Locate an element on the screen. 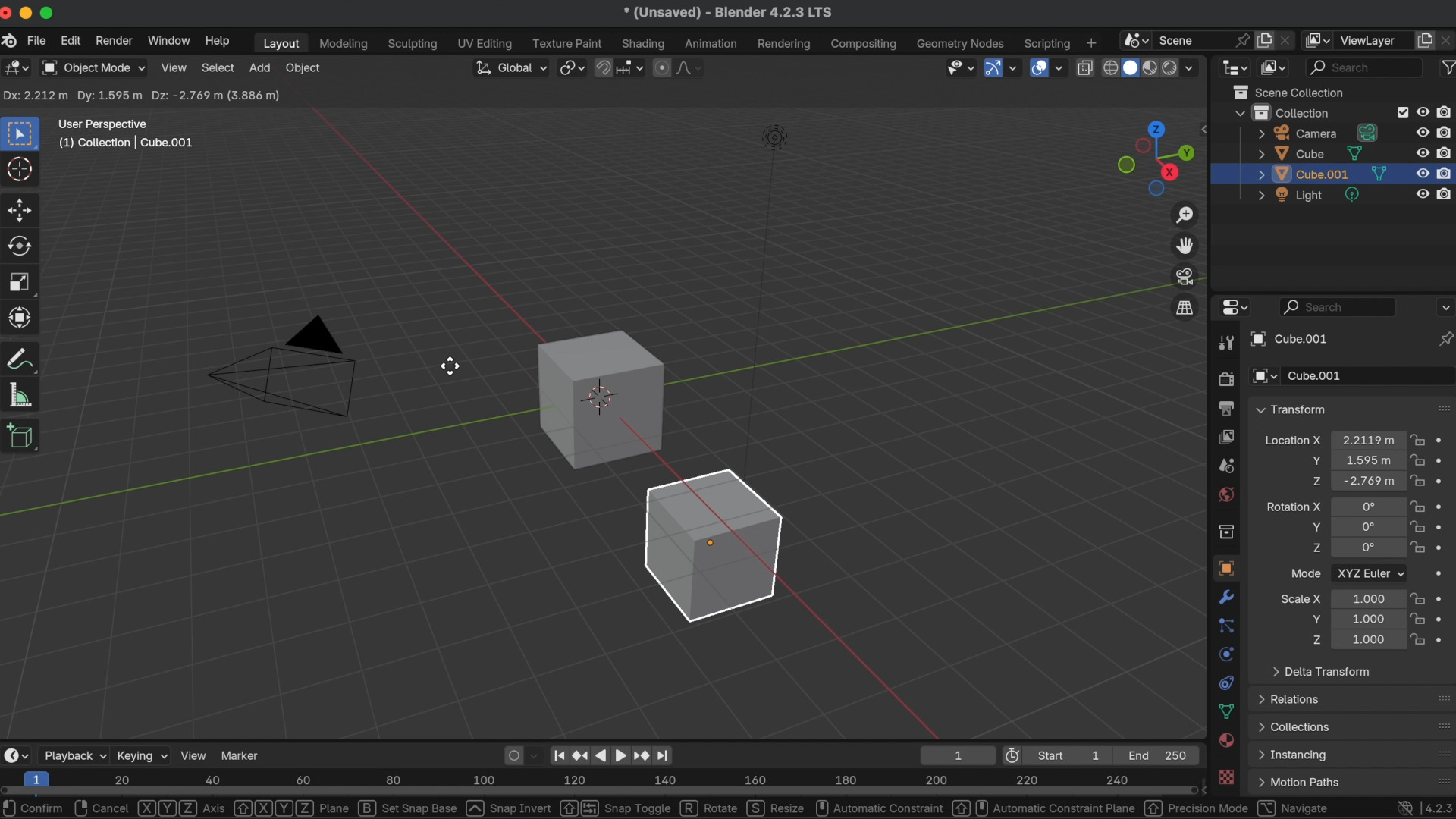 This screenshot has height=819, width=1456. location of object is located at coordinates (1366, 459).